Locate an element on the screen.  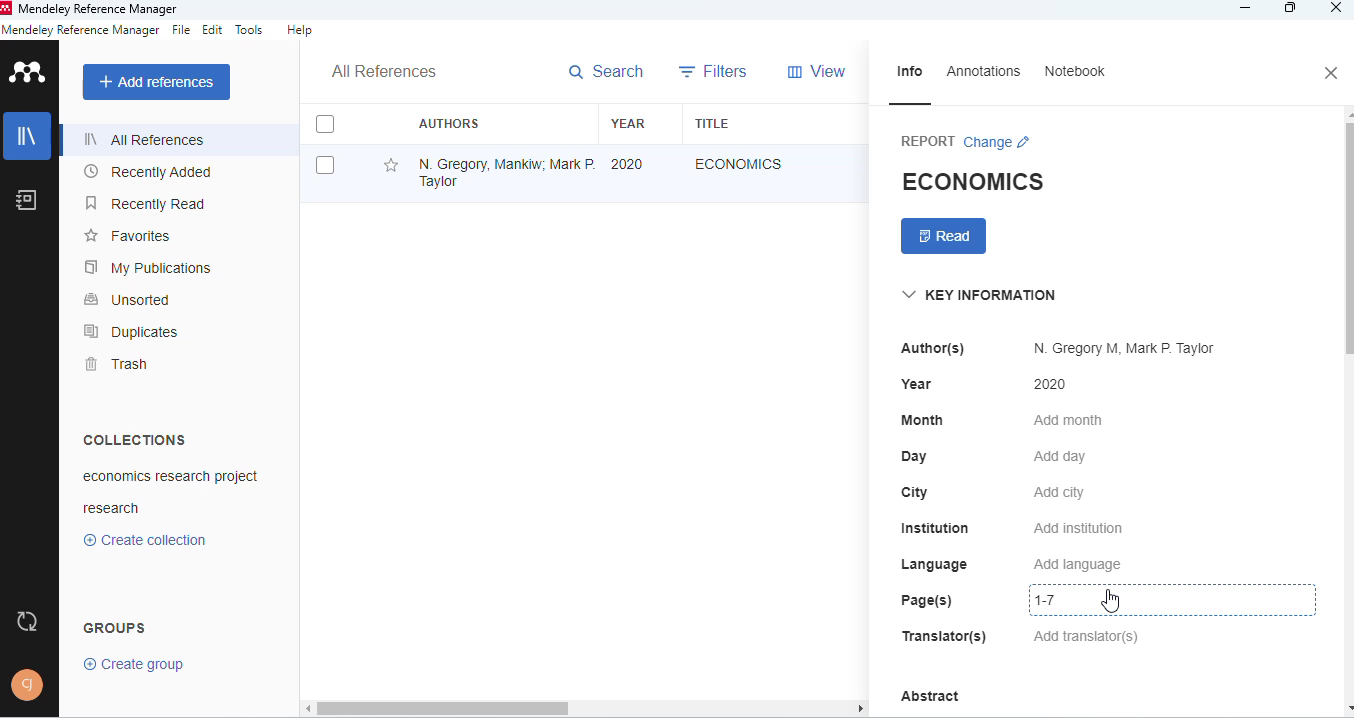
day is located at coordinates (914, 457).